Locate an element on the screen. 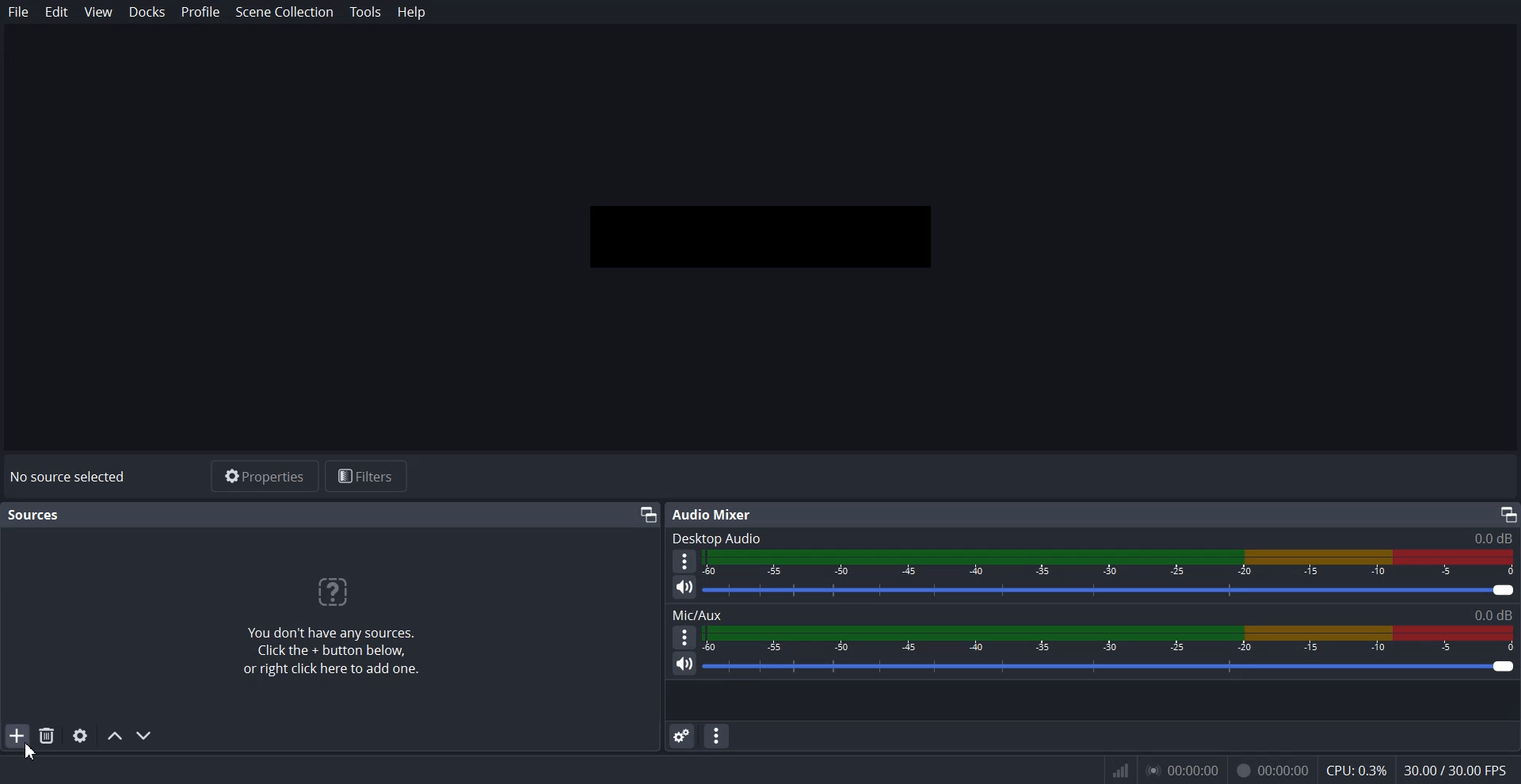  Help is located at coordinates (411, 12).